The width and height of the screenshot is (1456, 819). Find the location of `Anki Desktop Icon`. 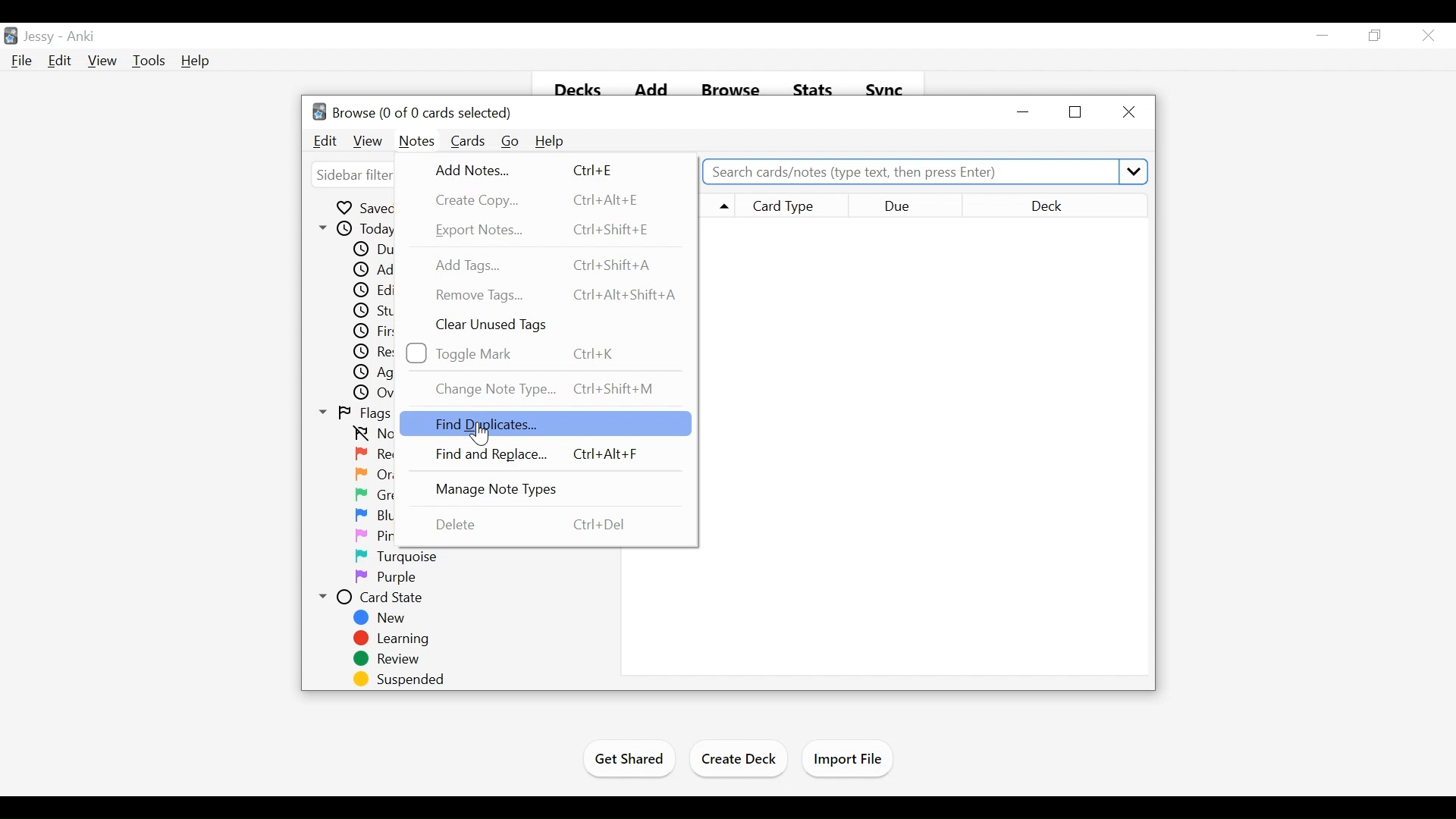

Anki Desktop Icon is located at coordinates (11, 36).